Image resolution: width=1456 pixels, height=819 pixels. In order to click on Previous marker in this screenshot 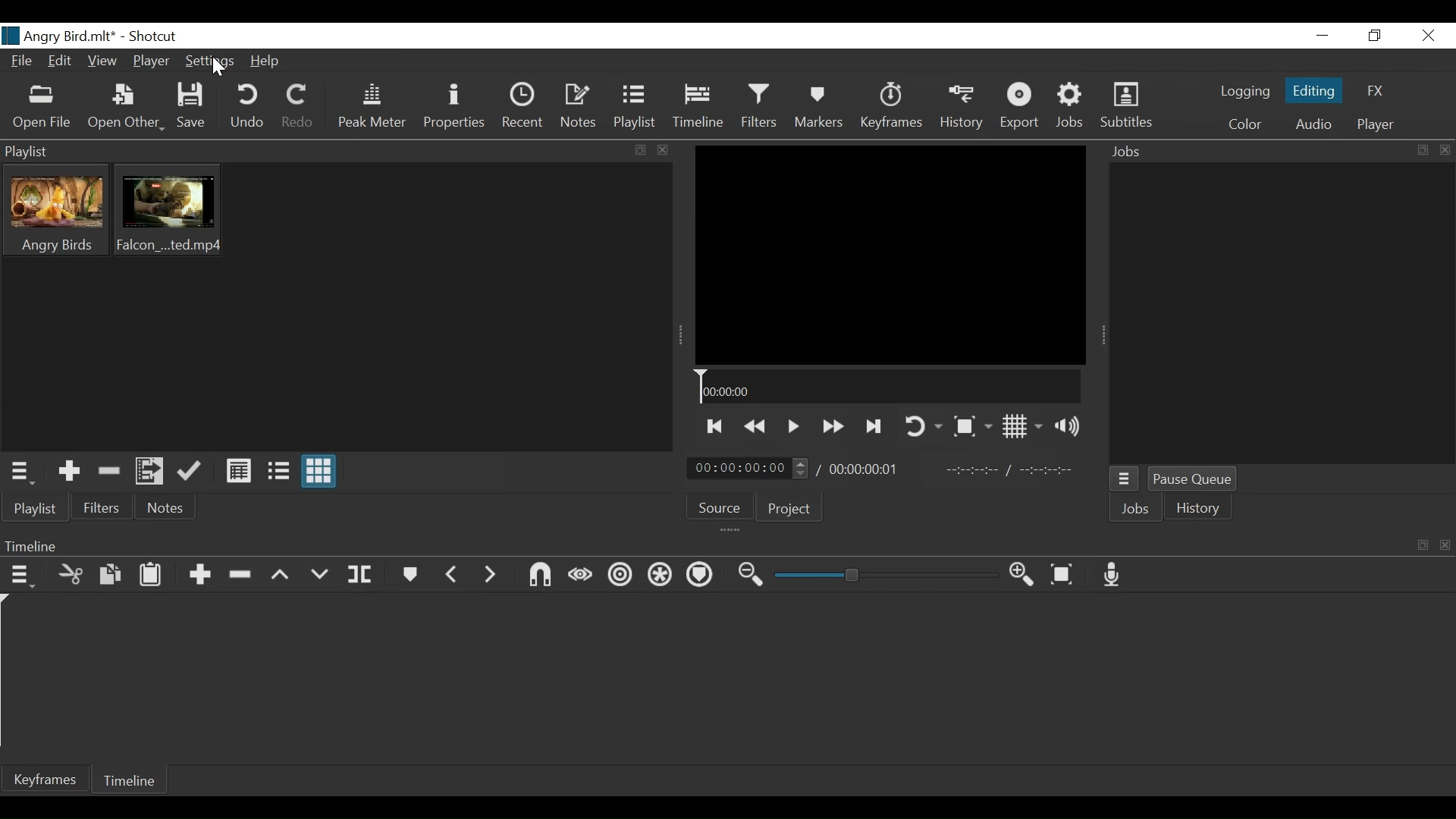, I will do `click(456, 575)`.